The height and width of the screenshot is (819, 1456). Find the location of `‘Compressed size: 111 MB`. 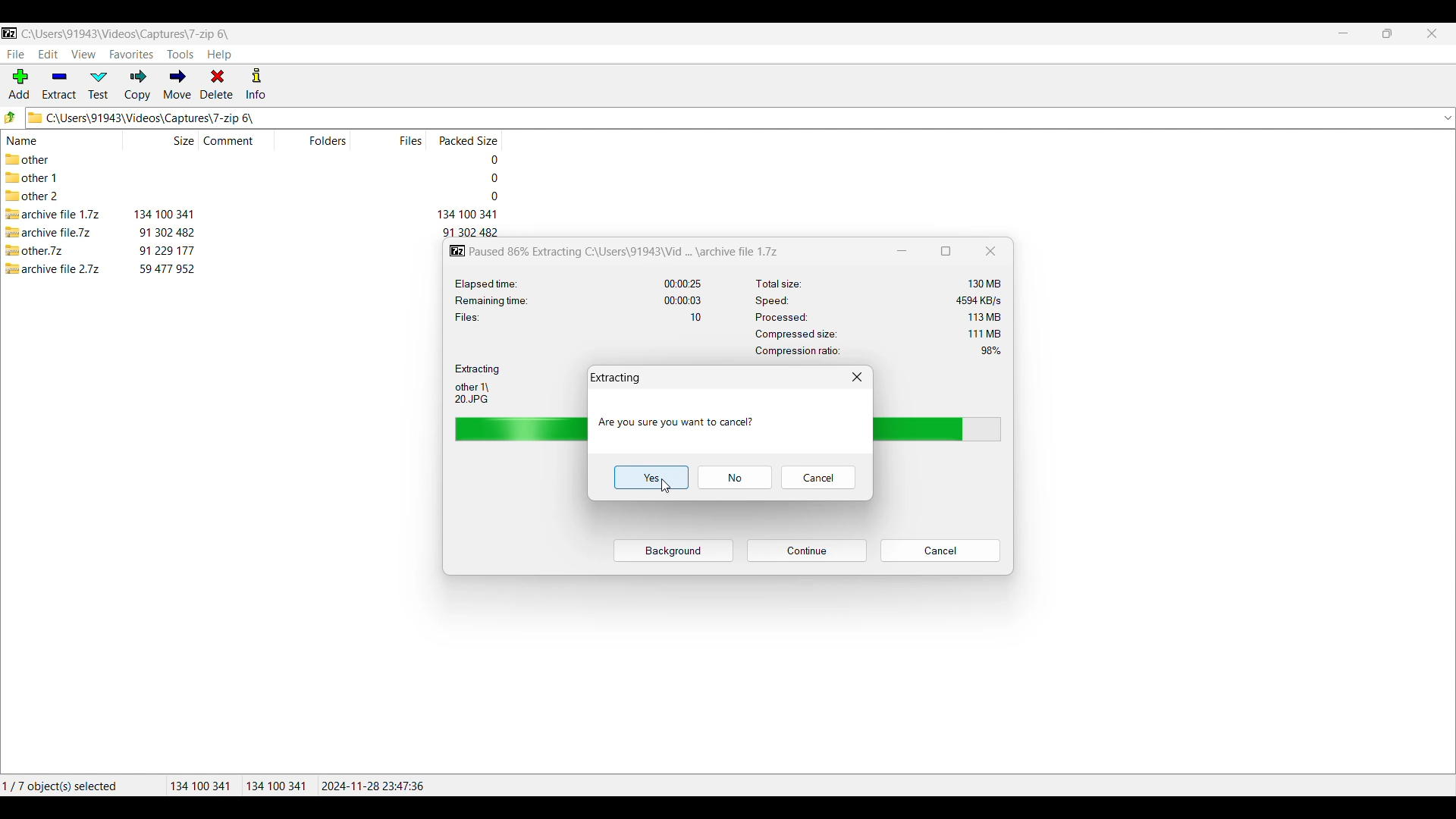

‘Compressed size: 111 MB is located at coordinates (877, 333).